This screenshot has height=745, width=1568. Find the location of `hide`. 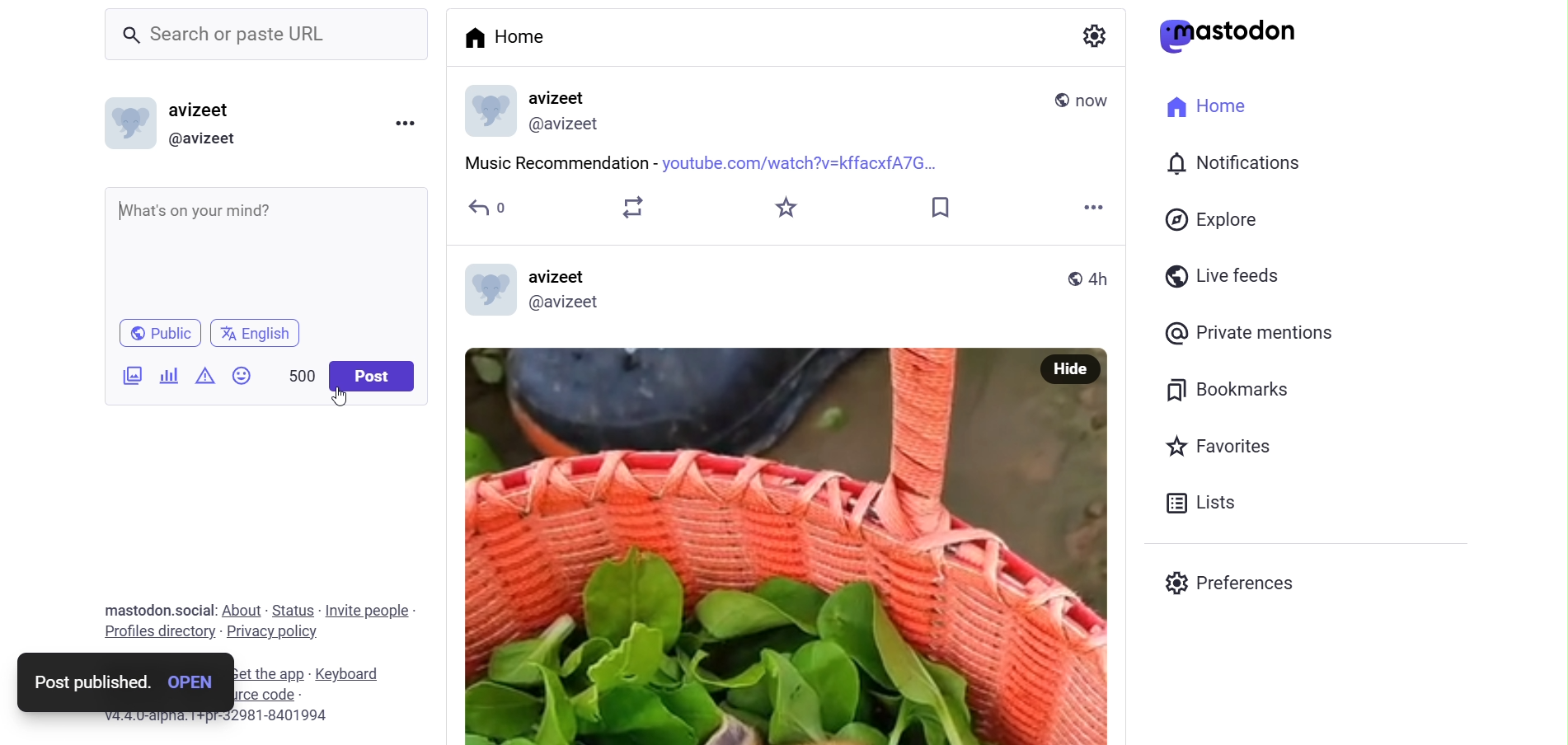

hide is located at coordinates (1068, 371).